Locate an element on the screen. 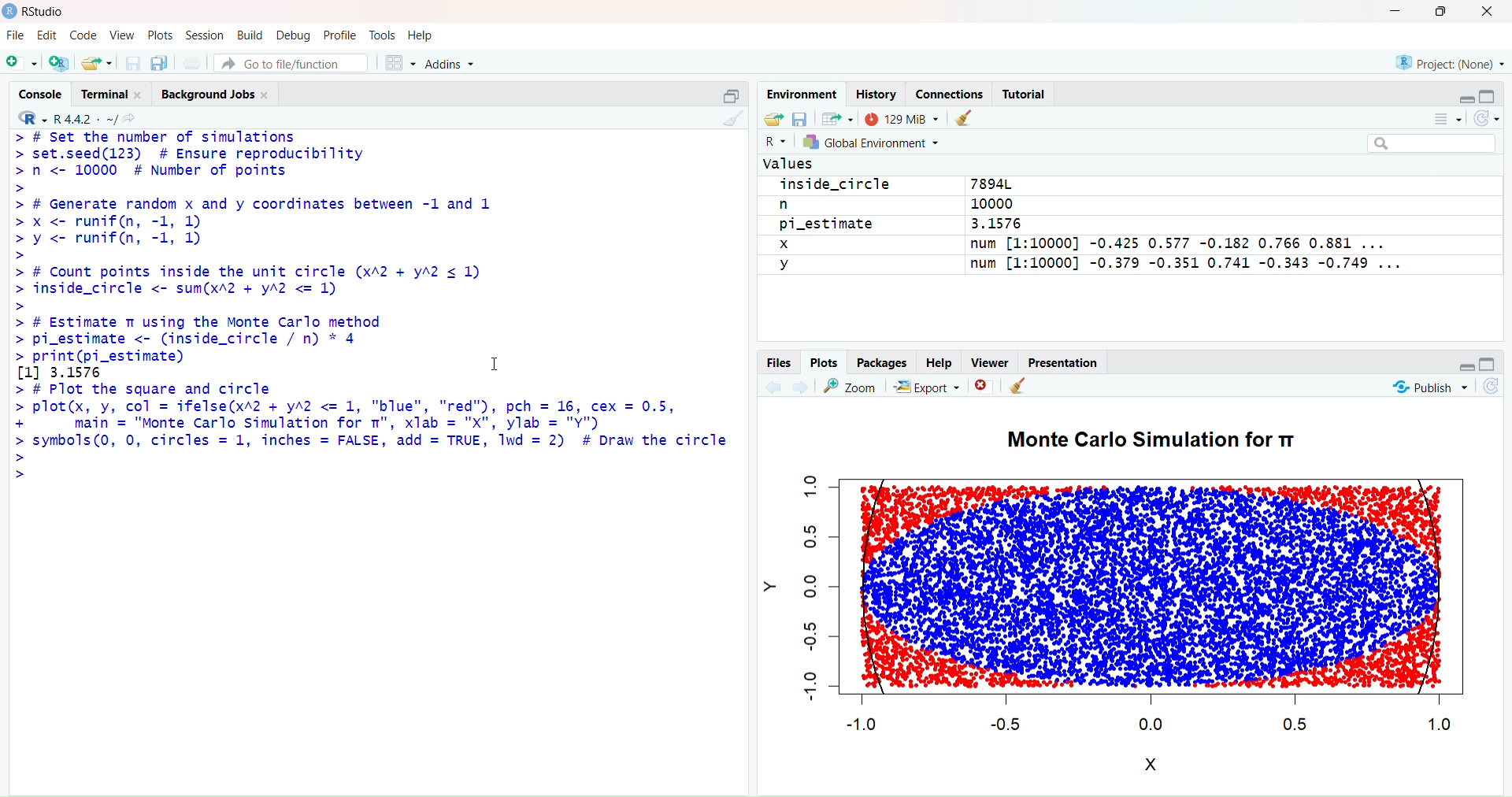 This screenshot has height=797, width=1512. Presentation is located at coordinates (1066, 363).